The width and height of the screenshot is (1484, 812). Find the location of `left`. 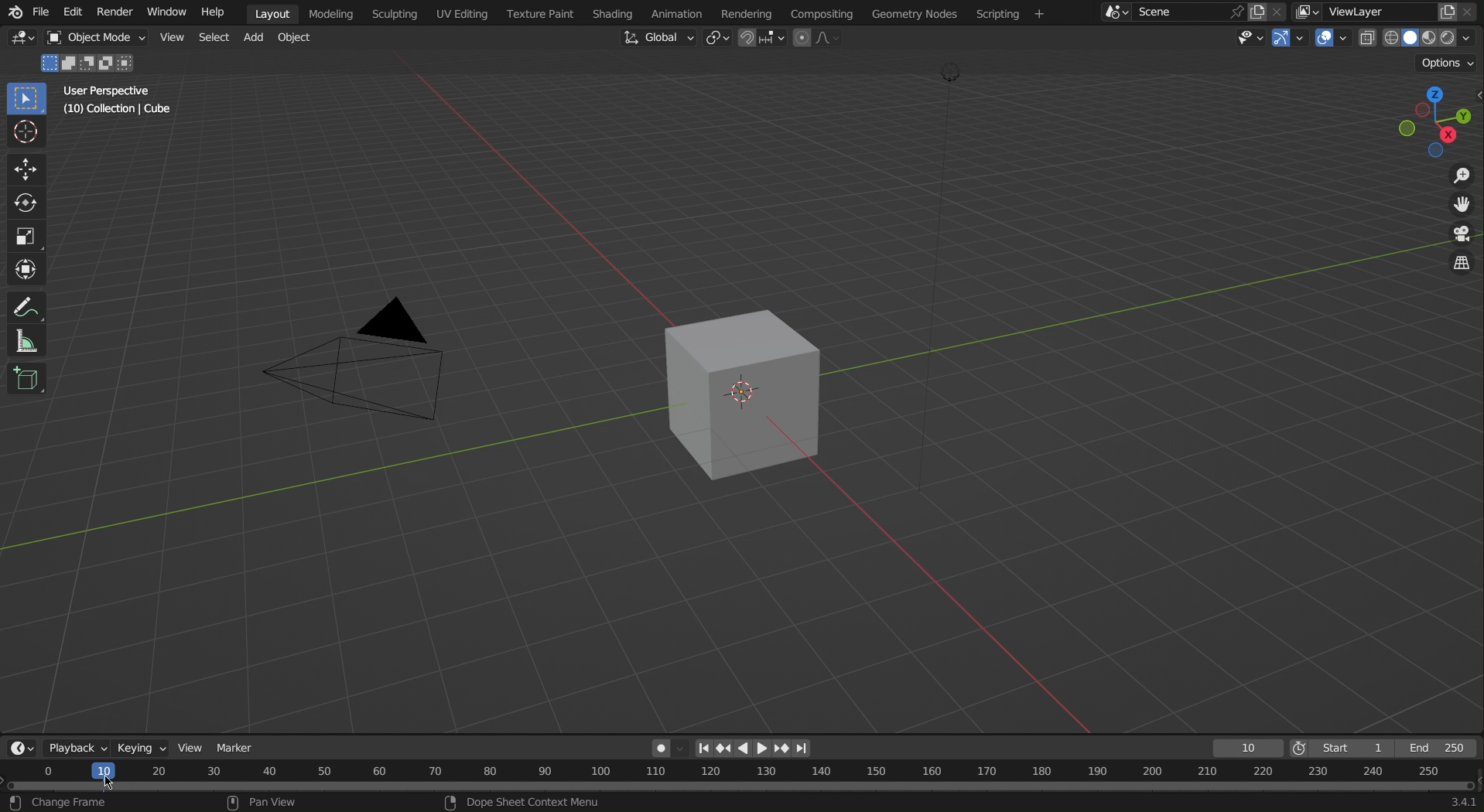

left is located at coordinates (742, 749).